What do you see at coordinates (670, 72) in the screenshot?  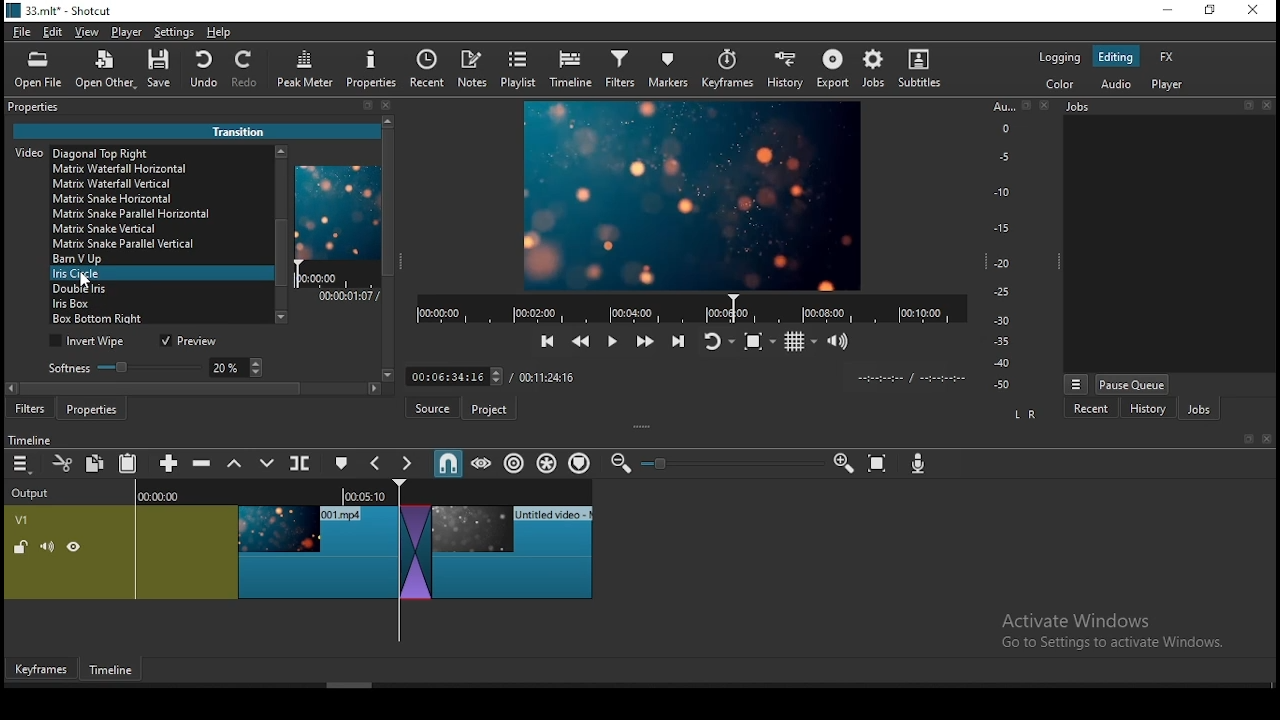 I see `markers` at bounding box center [670, 72].